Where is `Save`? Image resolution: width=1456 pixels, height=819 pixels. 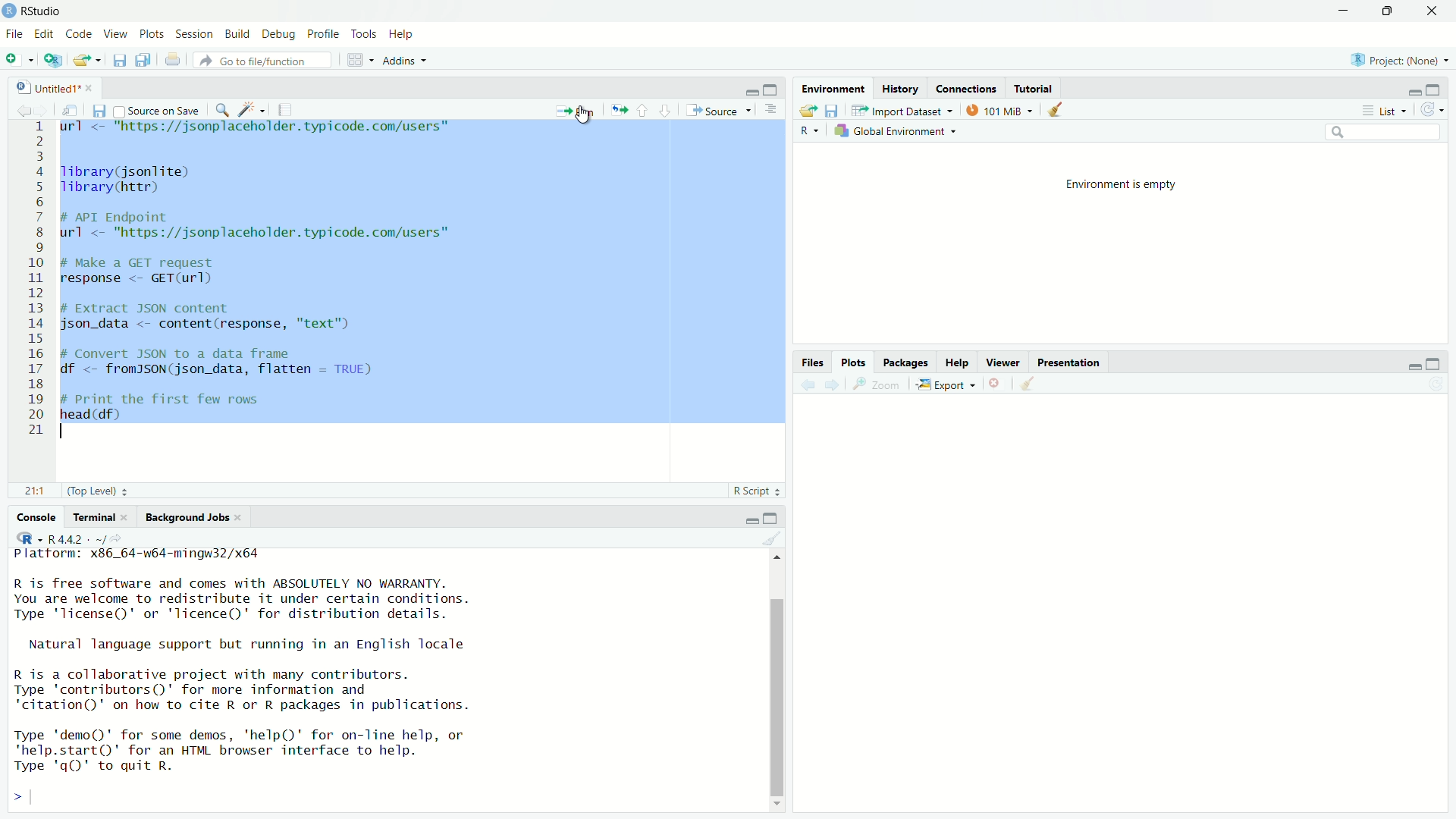 Save is located at coordinates (831, 111).